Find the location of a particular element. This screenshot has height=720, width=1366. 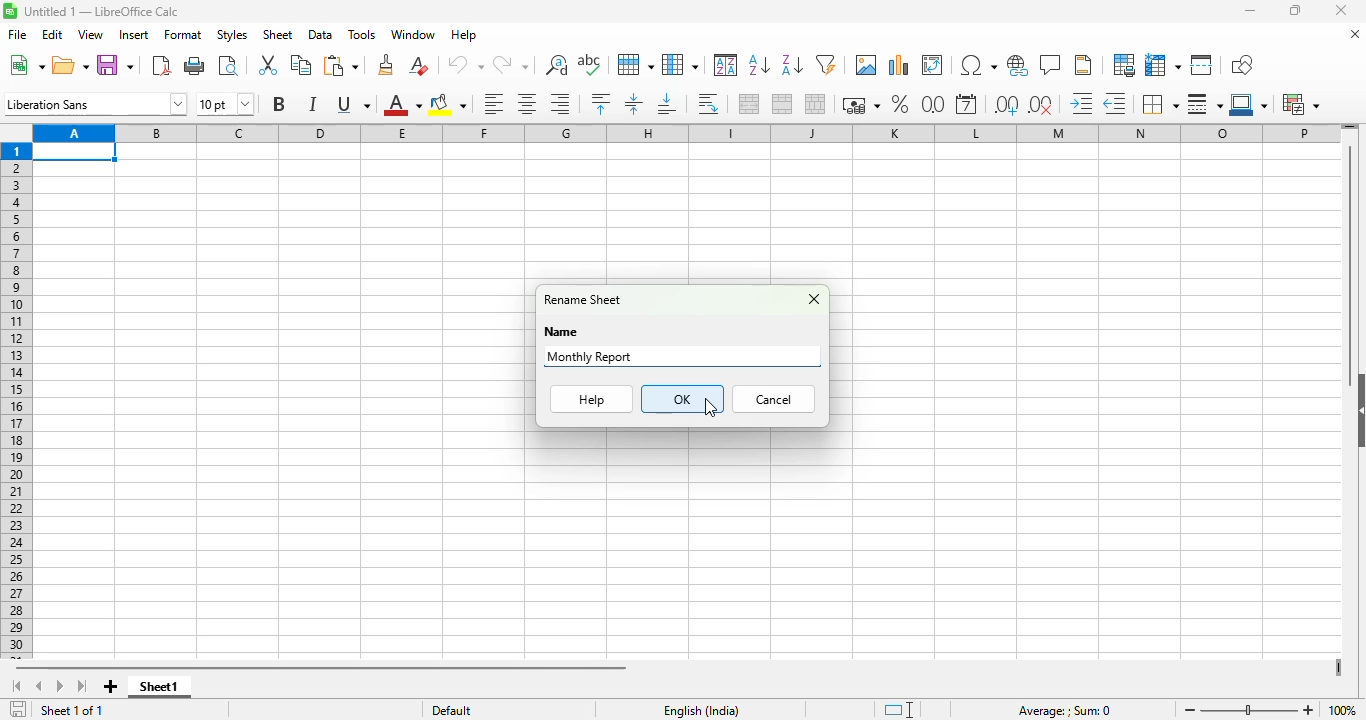

spelling is located at coordinates (589, 64).